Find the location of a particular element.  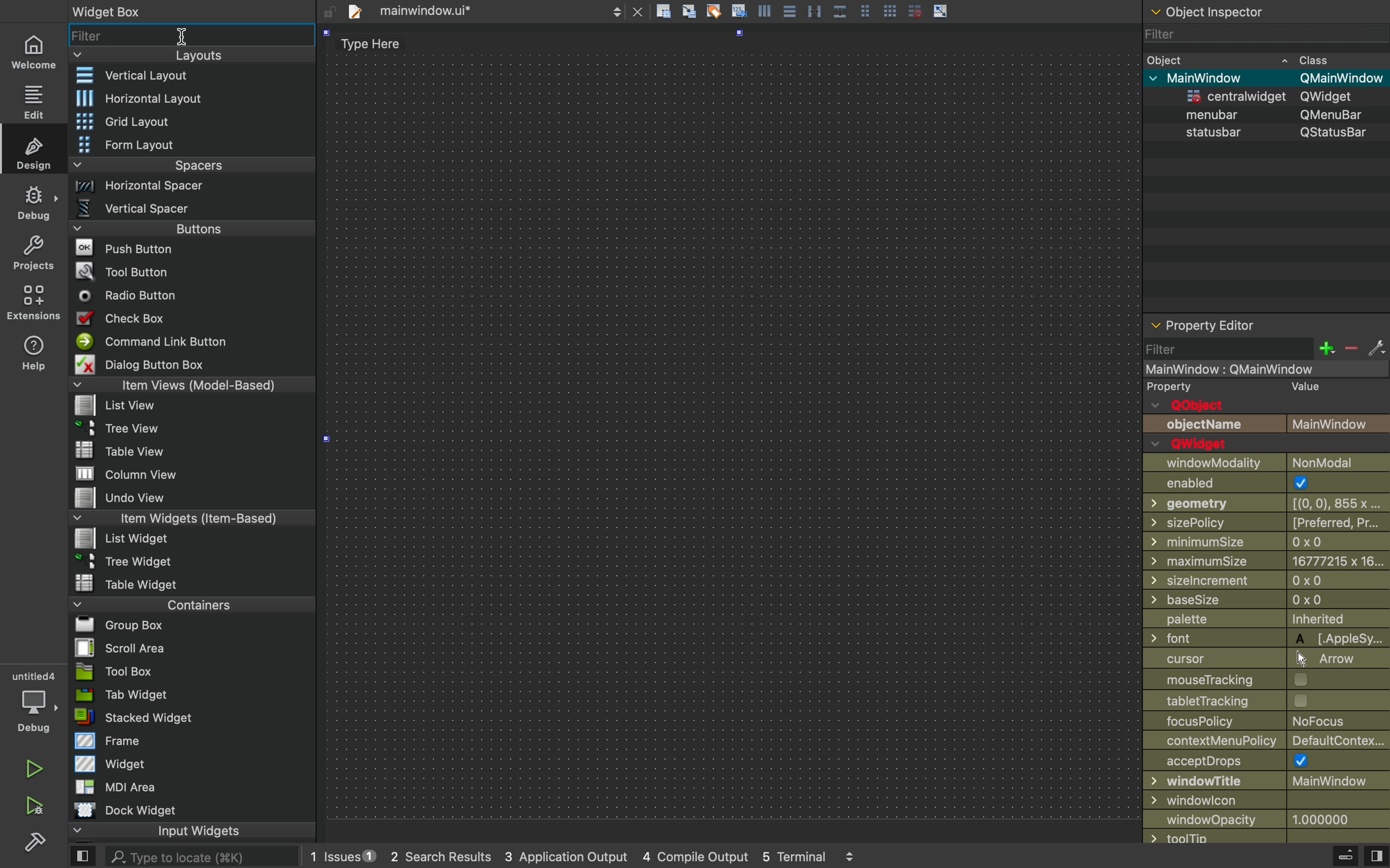

Pages is located at coordinates (868, 10).